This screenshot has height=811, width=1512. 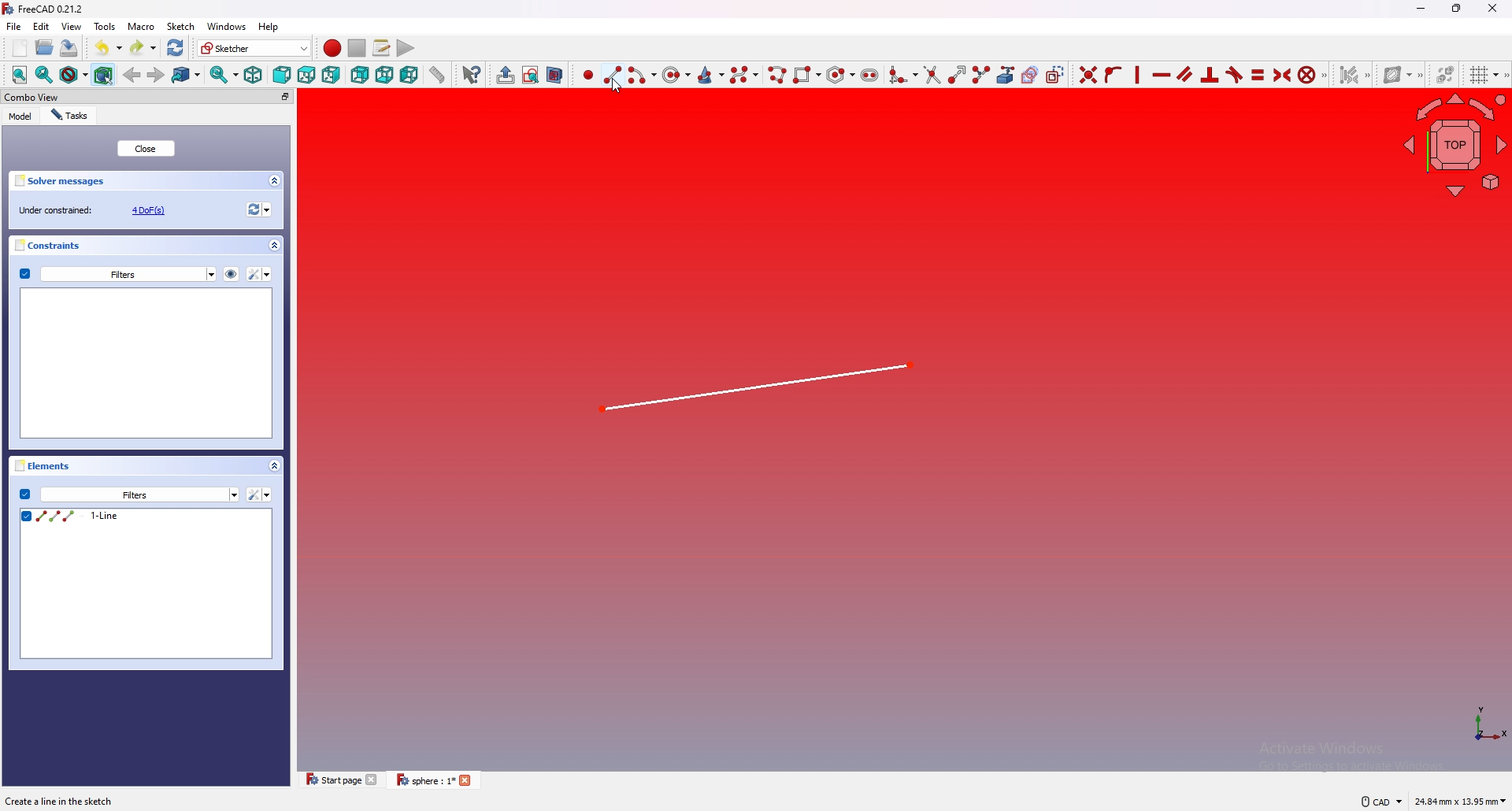 I want to click on Refresh, so click(x=176, y=46).